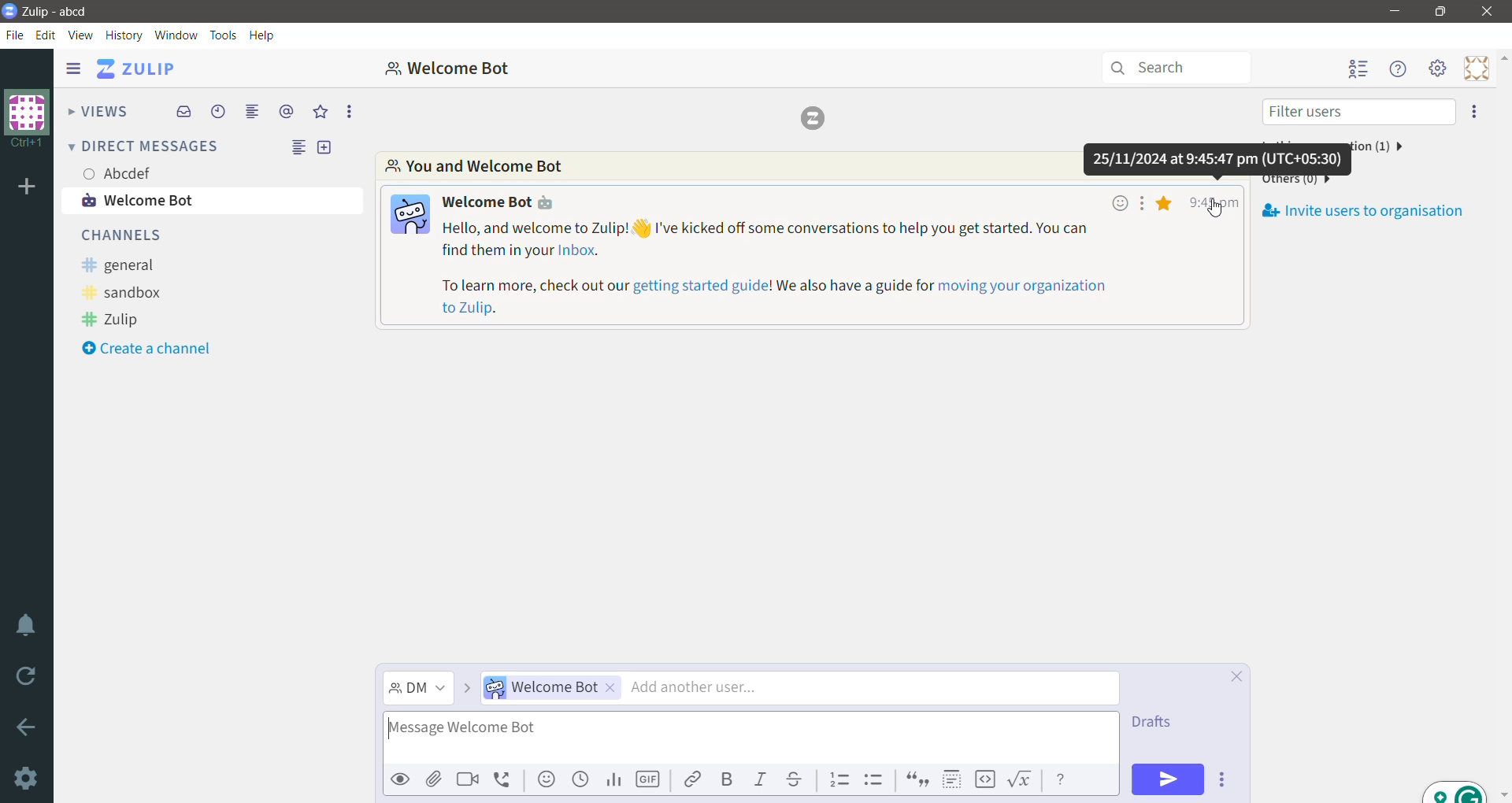 The height and width of the screenshot is (803, 1512). Describe the element at coordinates (692, 780) in the screenshot. I see `Link` at that location.